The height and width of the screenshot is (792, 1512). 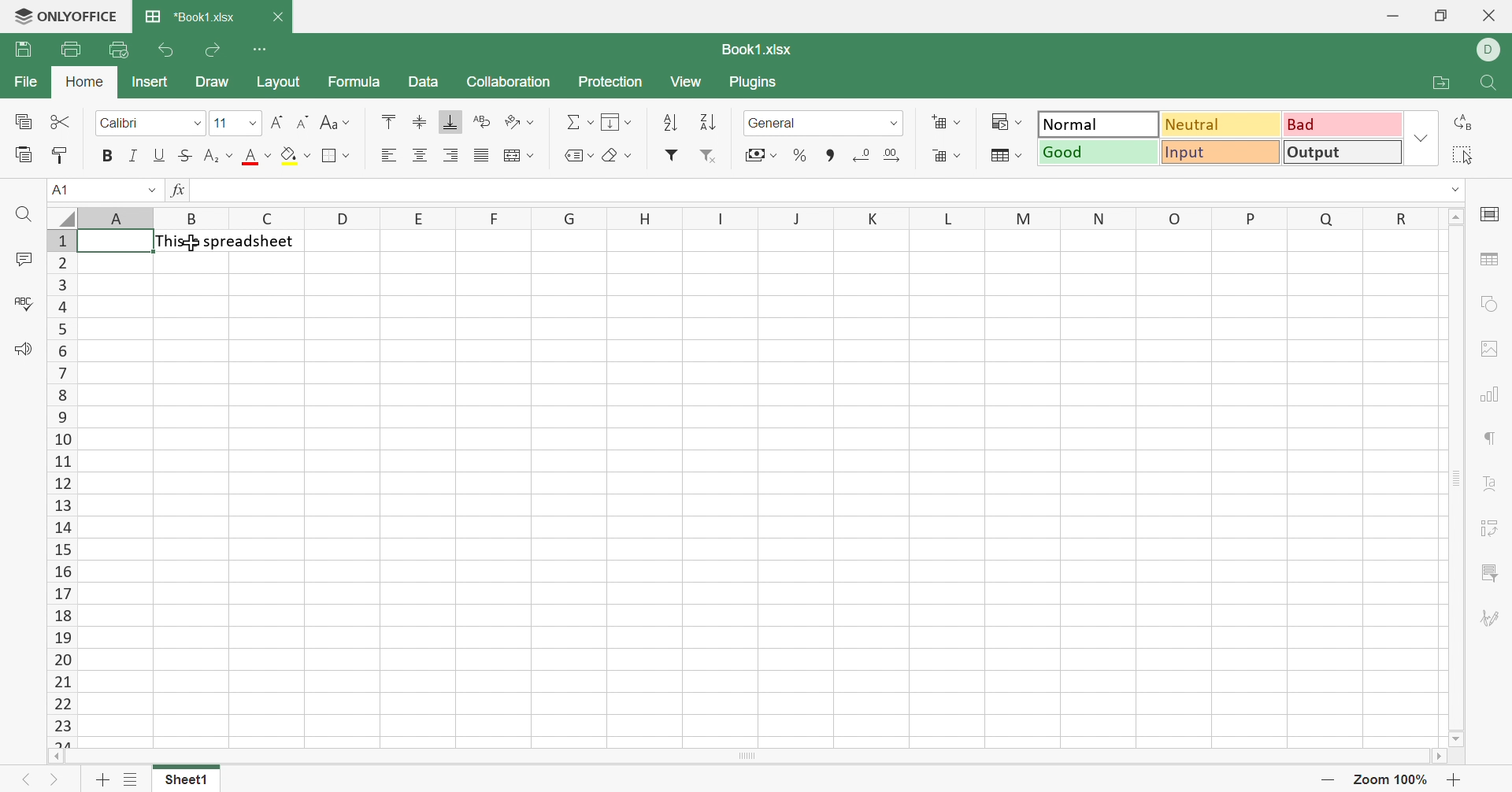 What do you see at coordinates (189, 17) in the screenshot?
I see `*Book1.xlsx` at bounding box center [189, 17].